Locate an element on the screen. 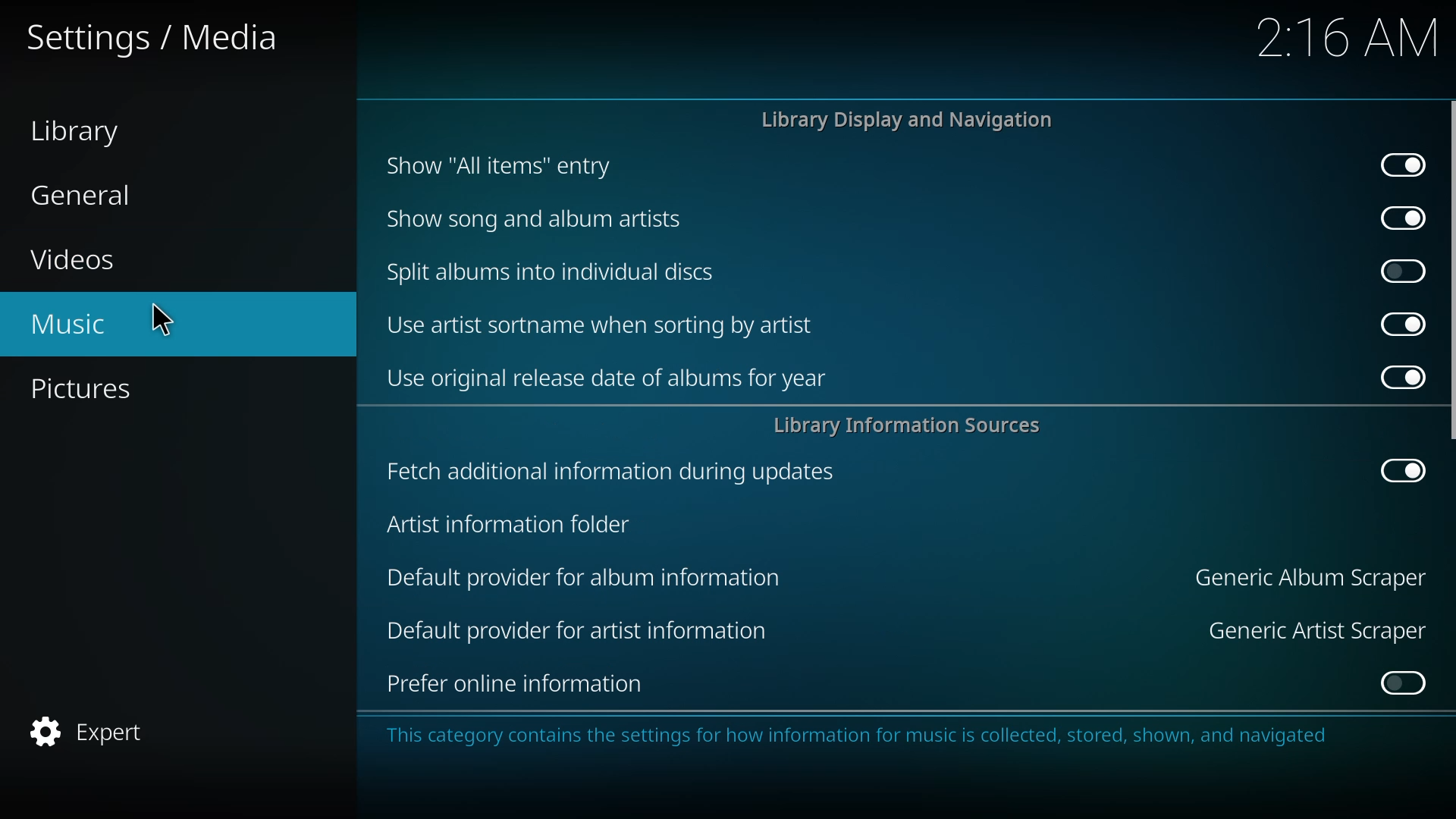 The width and height of the screenshot is (1456, 819). general is located at coordinates (89, 195).